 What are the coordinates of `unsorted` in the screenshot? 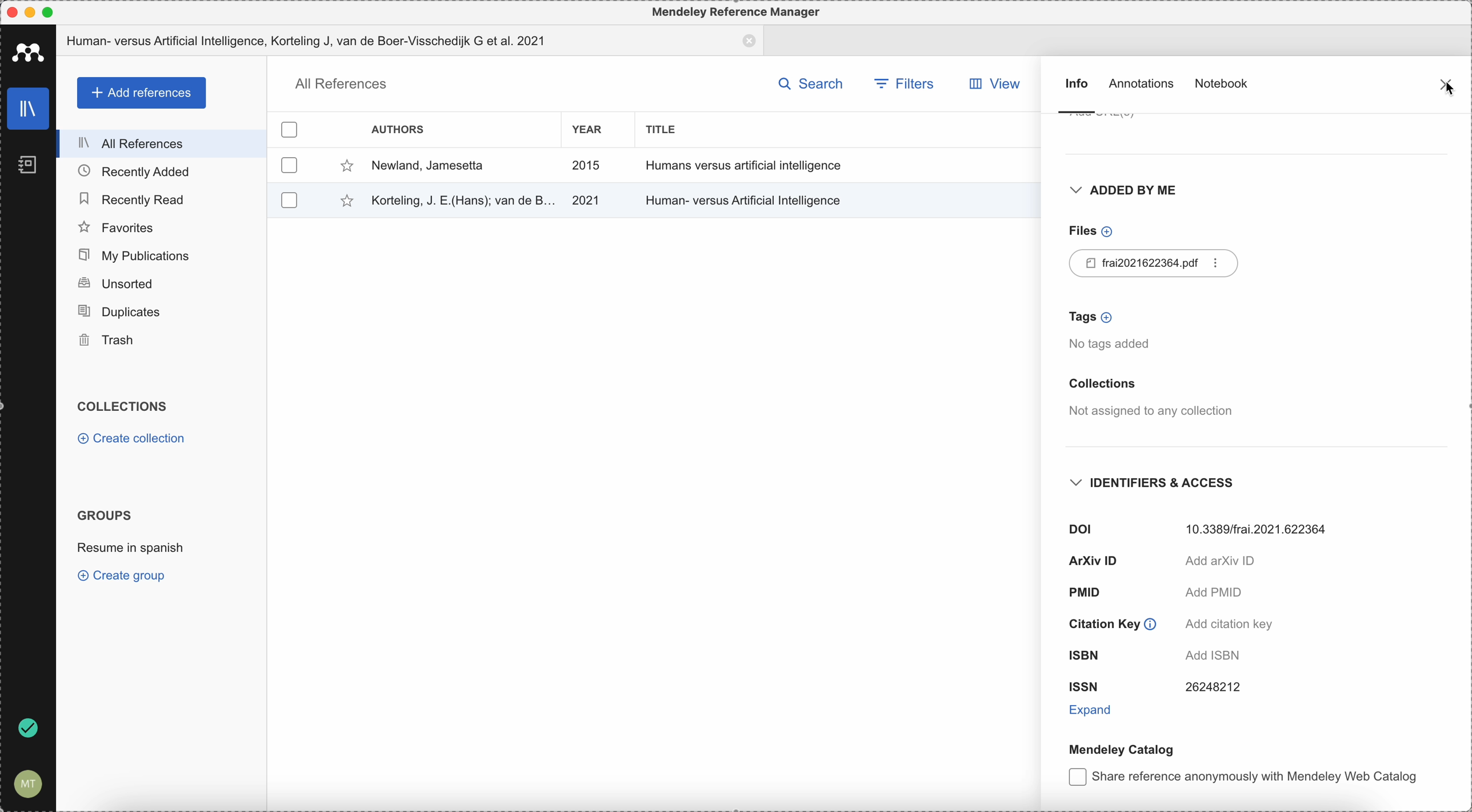 It's located at (161, 285).